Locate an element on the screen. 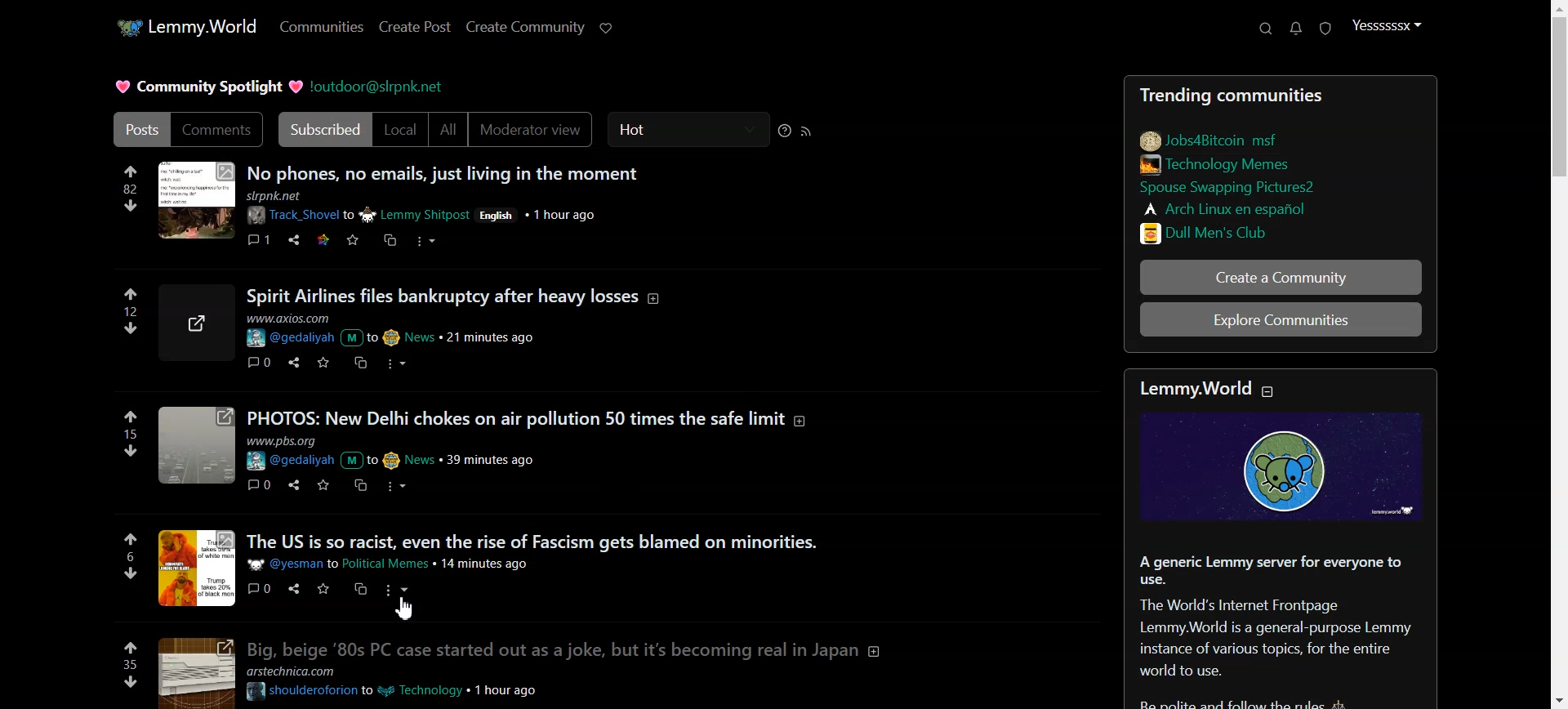 Image resolution: width=1568 pixels, height=709 pixels. Subscribed is located at coordinates (322, 130).